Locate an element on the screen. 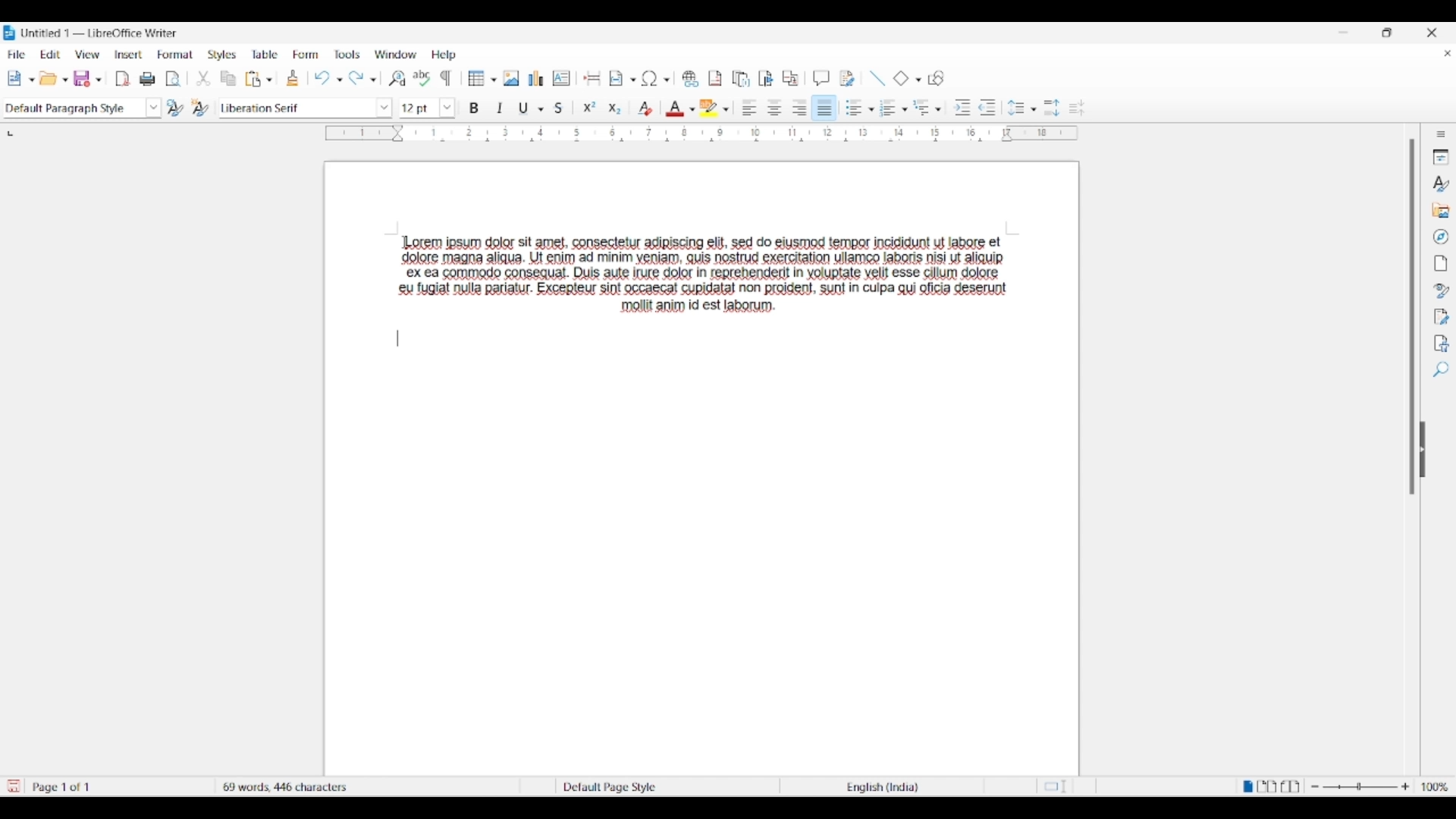  Horizontal ruler is located at coordinates (701, 133).